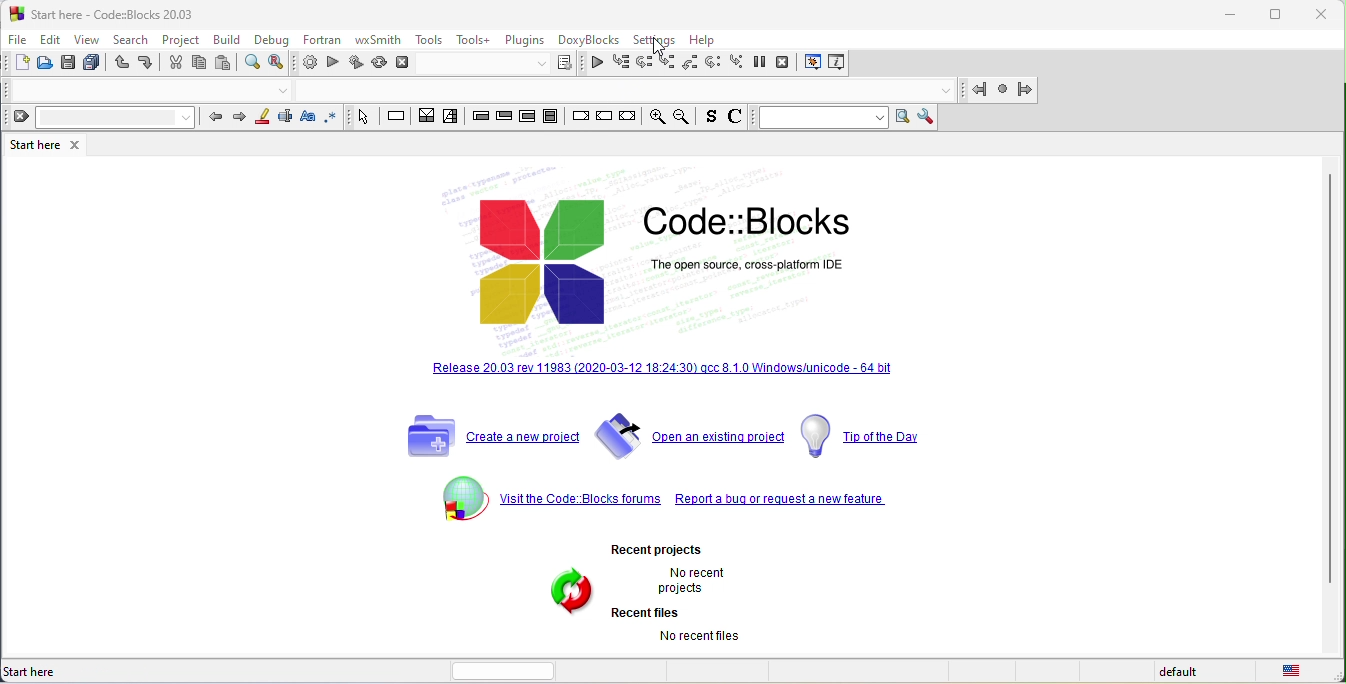 This screenshot has width=1346, height=684. Describe the element at coordinates (94, 41) in the screenshot. I see `view` at that location.